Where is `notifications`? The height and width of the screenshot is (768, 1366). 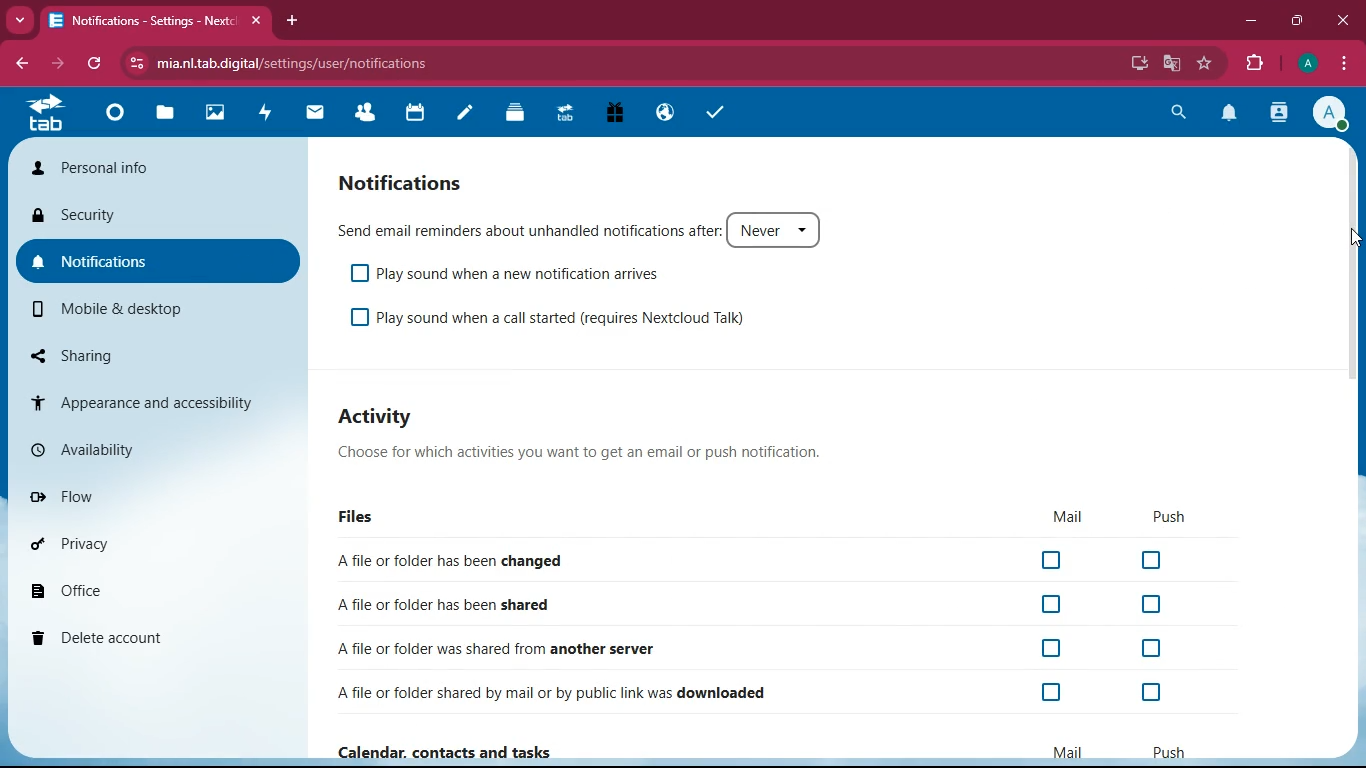
notifications is located at coordinates (403, 183).